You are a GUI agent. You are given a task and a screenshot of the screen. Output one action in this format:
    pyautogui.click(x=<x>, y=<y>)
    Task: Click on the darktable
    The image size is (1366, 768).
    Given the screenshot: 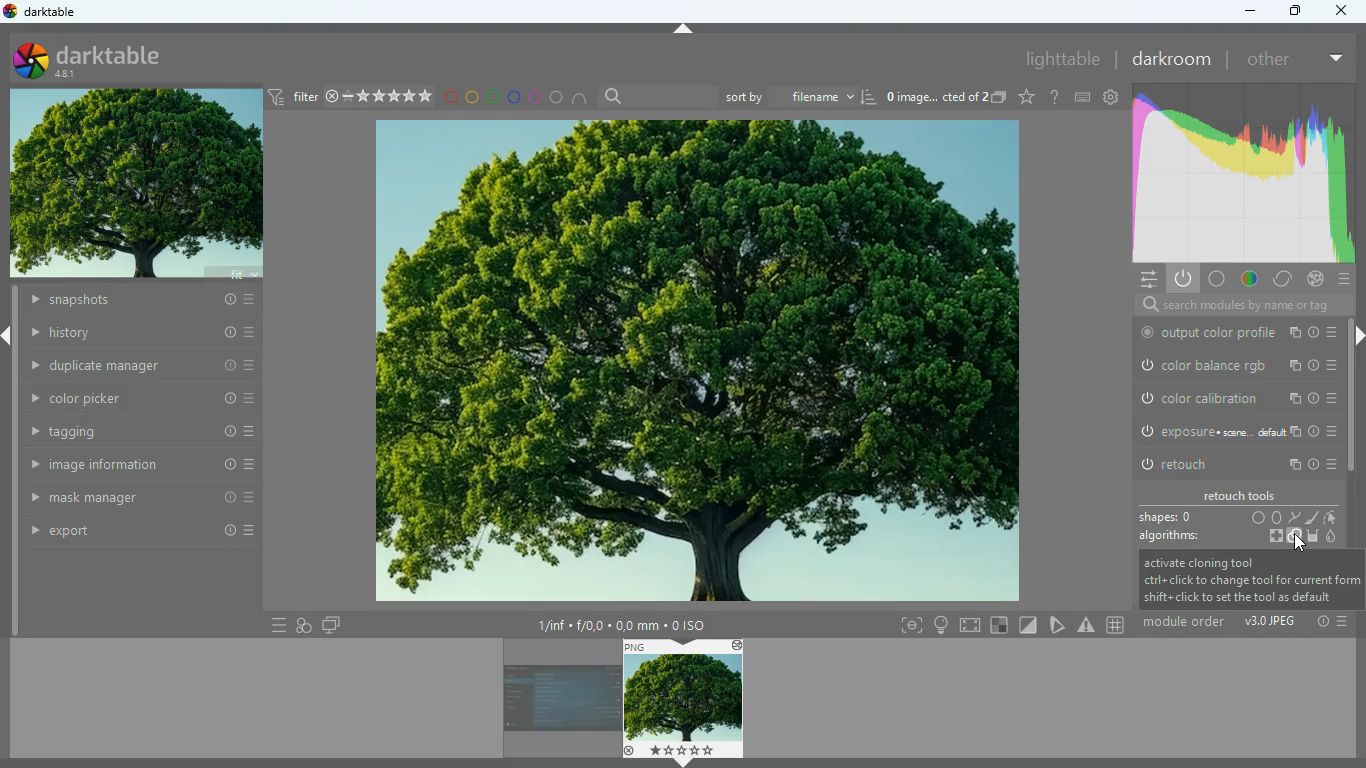 What is the action you would take?
    pyautogui.click(x=94, y=59)
    